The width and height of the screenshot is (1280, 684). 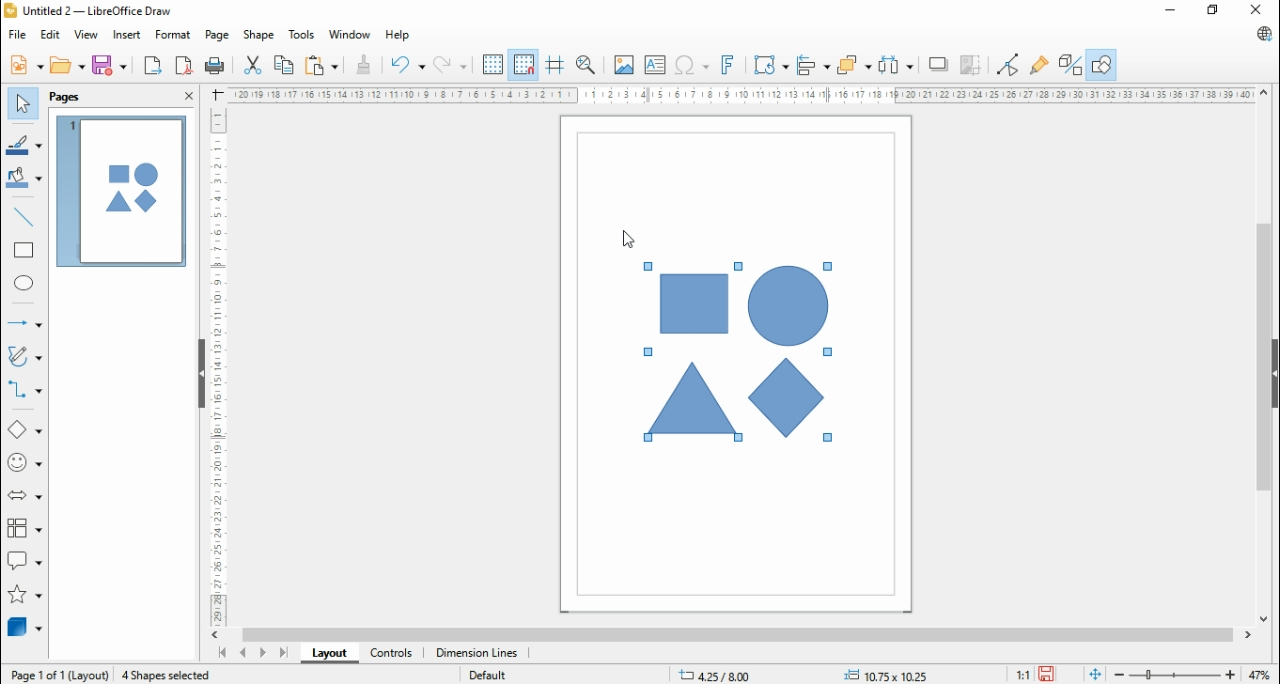 What do you see at coordinates (691, 64) in the screenshot?
I see `insert special characters` at bounding box center [691, 64].